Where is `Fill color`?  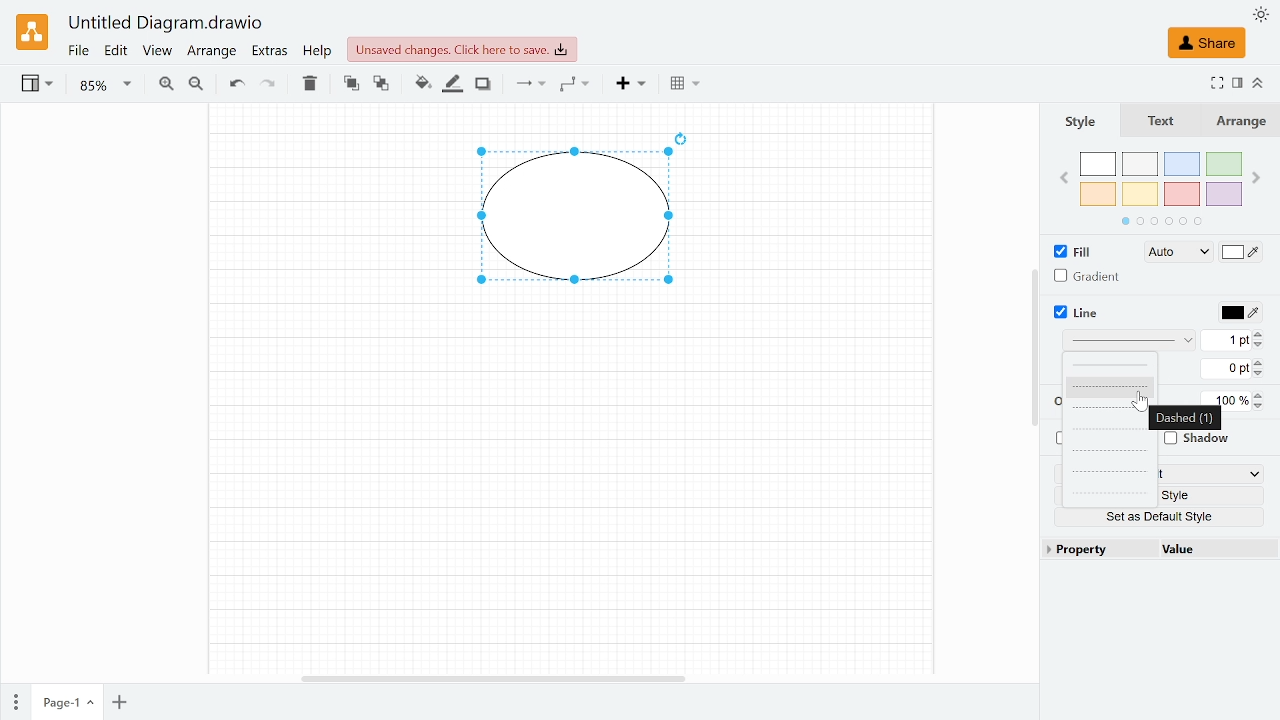 Fill color is located at coordinates (422, 83).